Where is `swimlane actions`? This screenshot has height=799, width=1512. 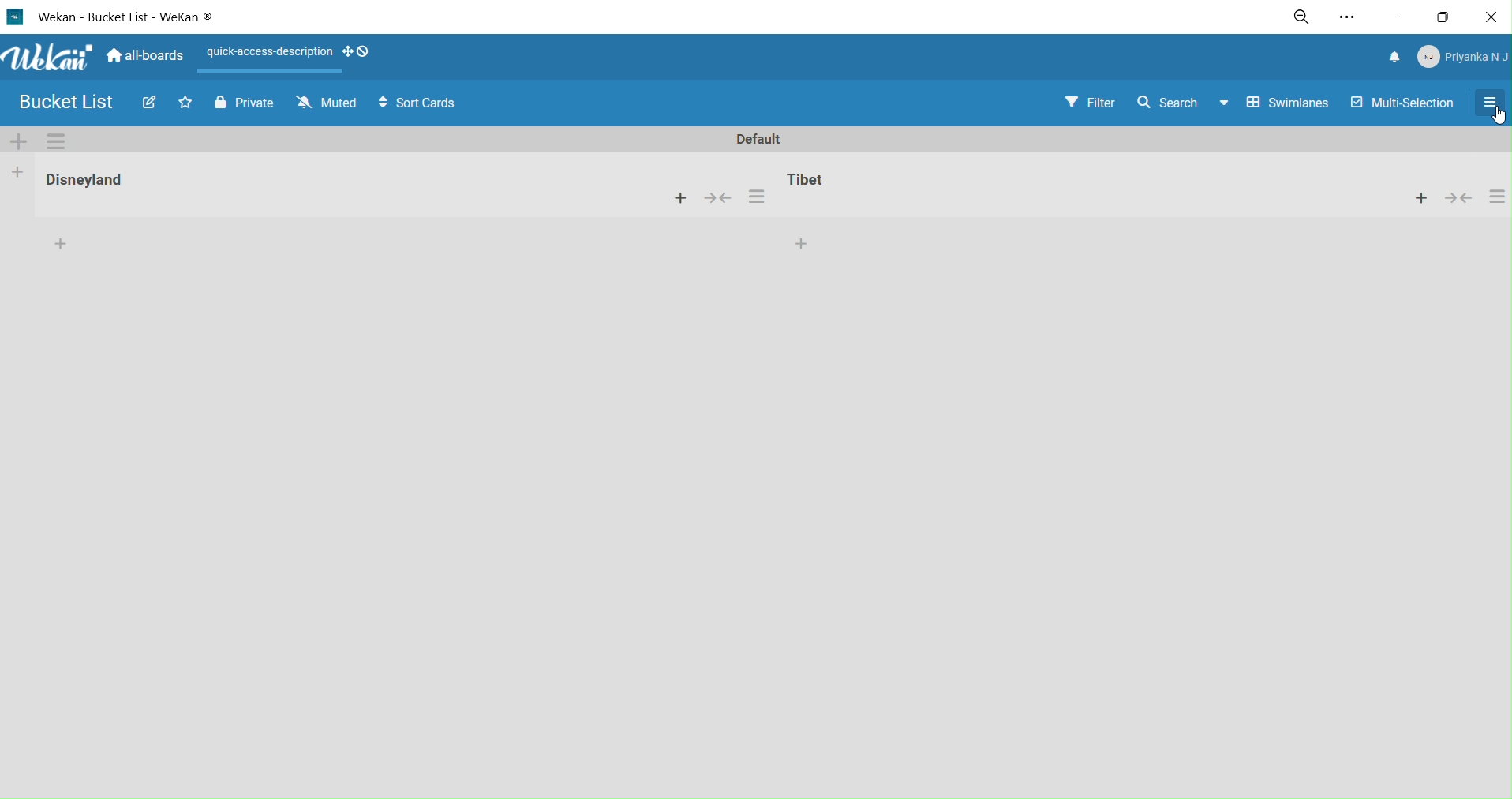
swimlane actions is located at coordinates (58, 143).